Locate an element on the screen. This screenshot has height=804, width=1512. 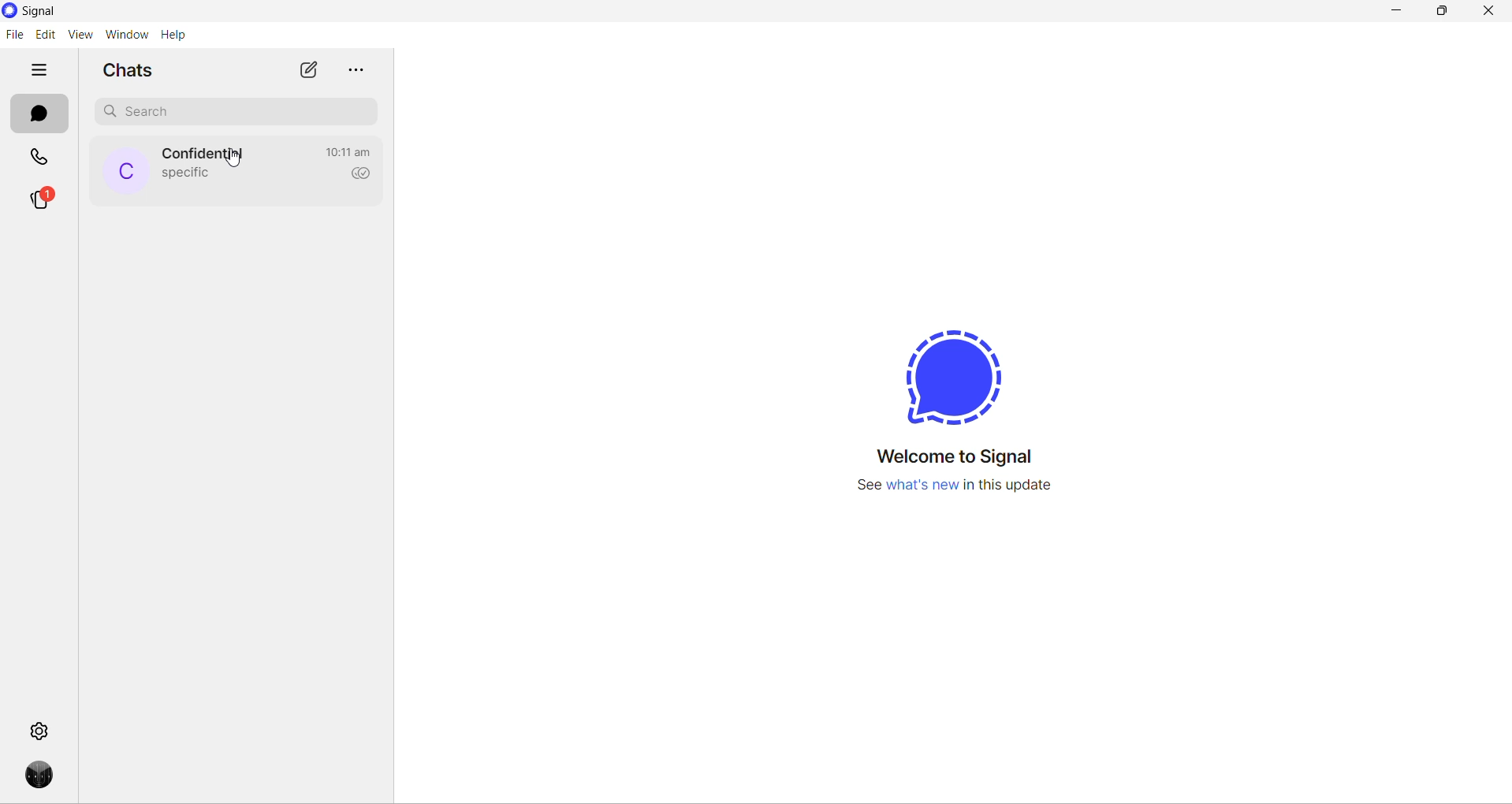
chats heading is located at coordinates (130, 73).